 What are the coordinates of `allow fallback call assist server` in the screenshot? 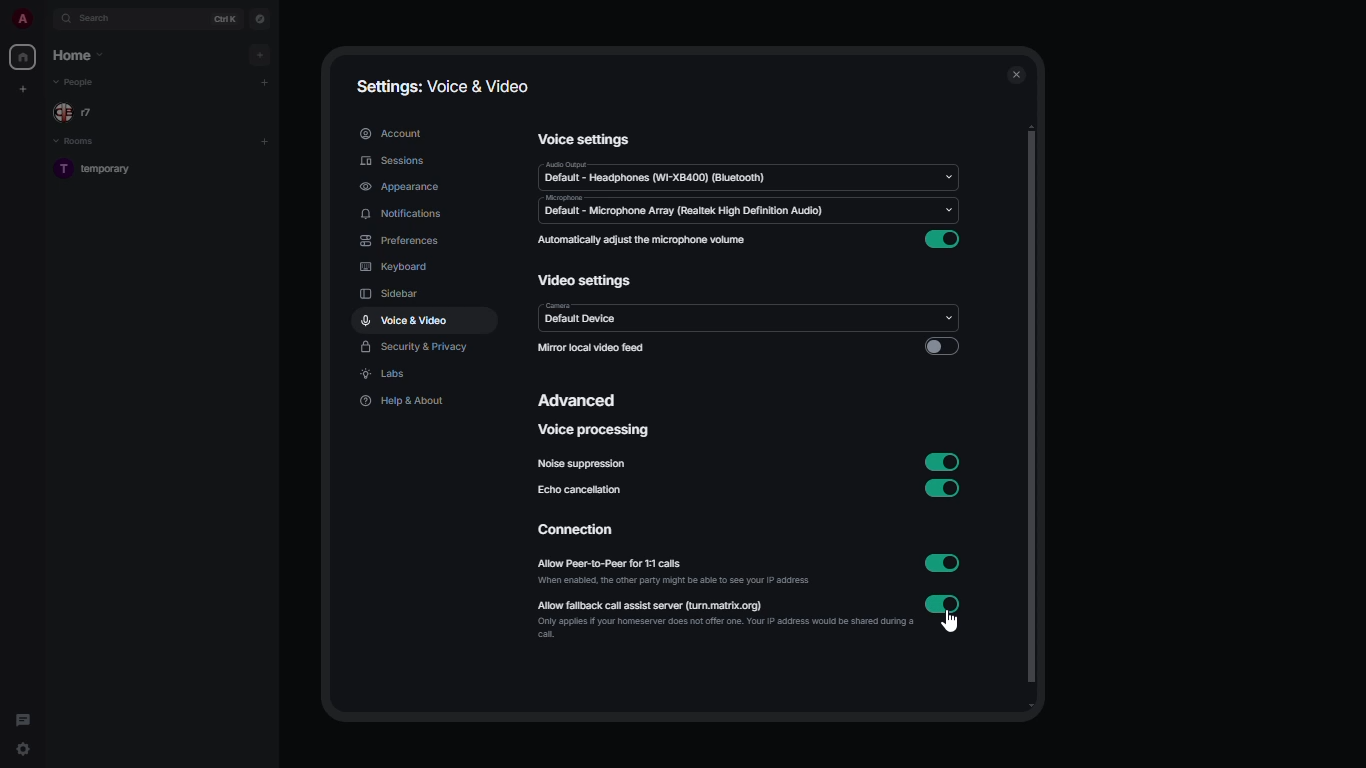 It's located at (678, 606).